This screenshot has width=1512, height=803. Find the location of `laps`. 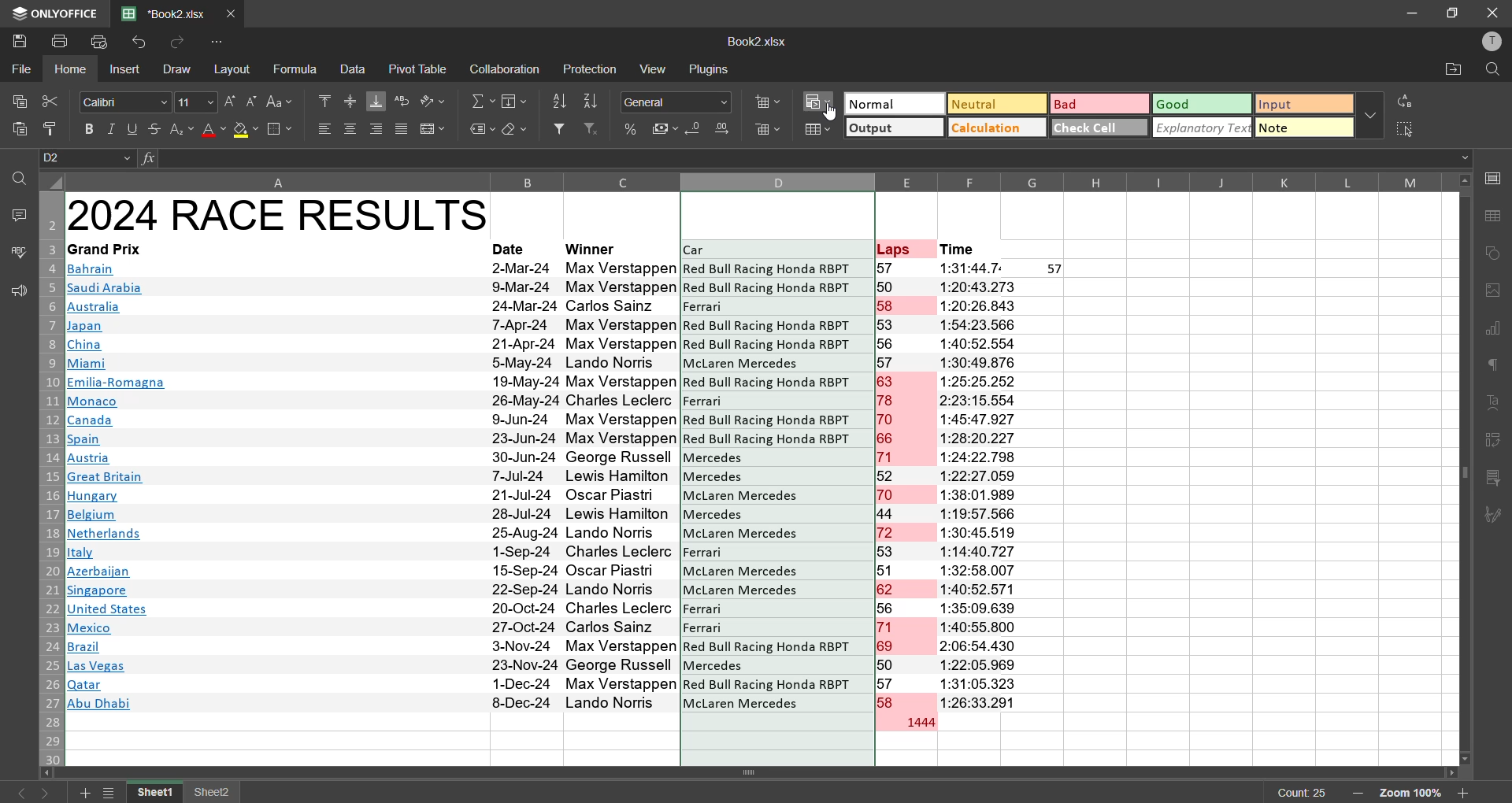

laps is located at coordinates (895, 248).